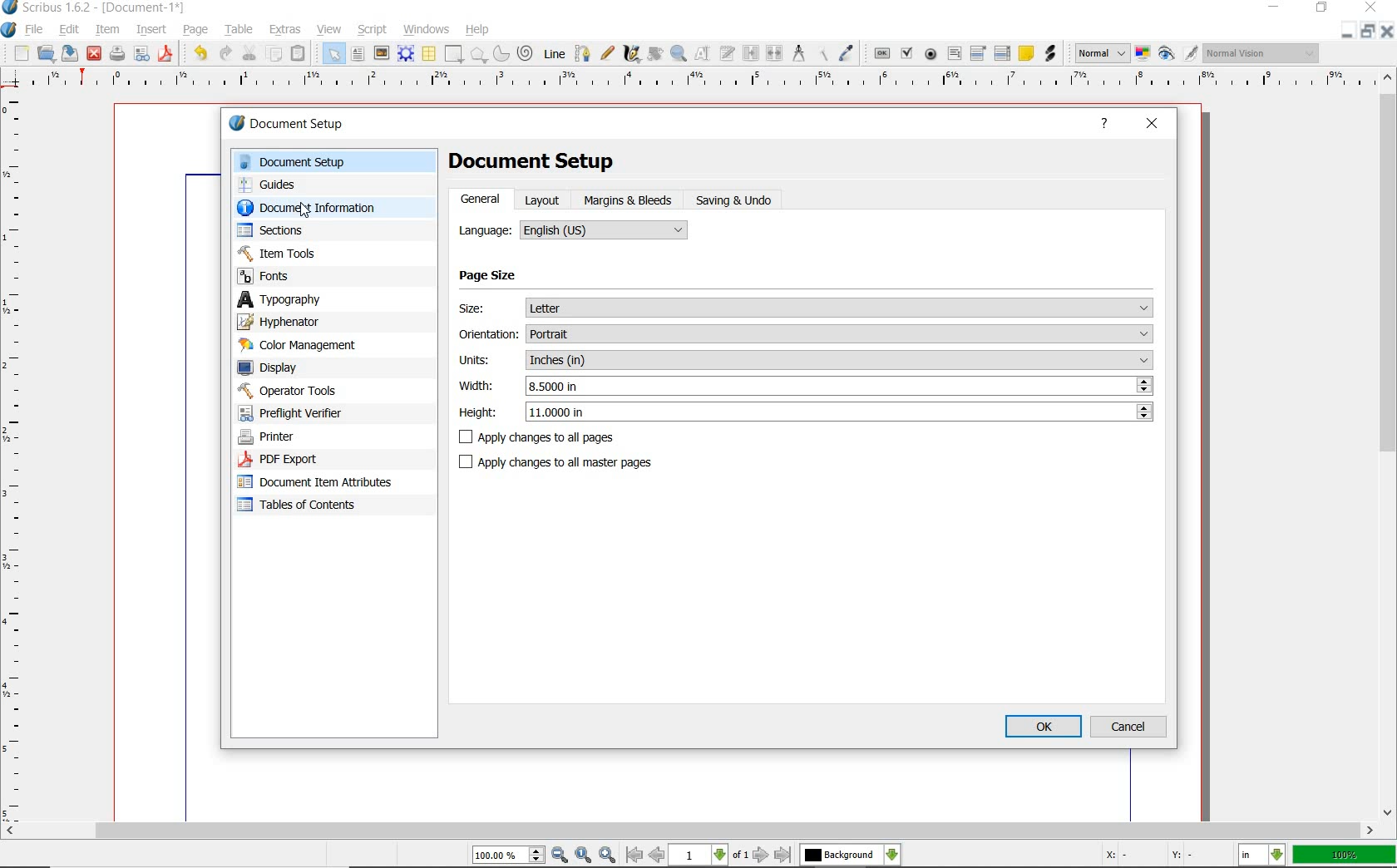 This screenshot has height=868, width=1397. I want to click on language, so click(572, 231).